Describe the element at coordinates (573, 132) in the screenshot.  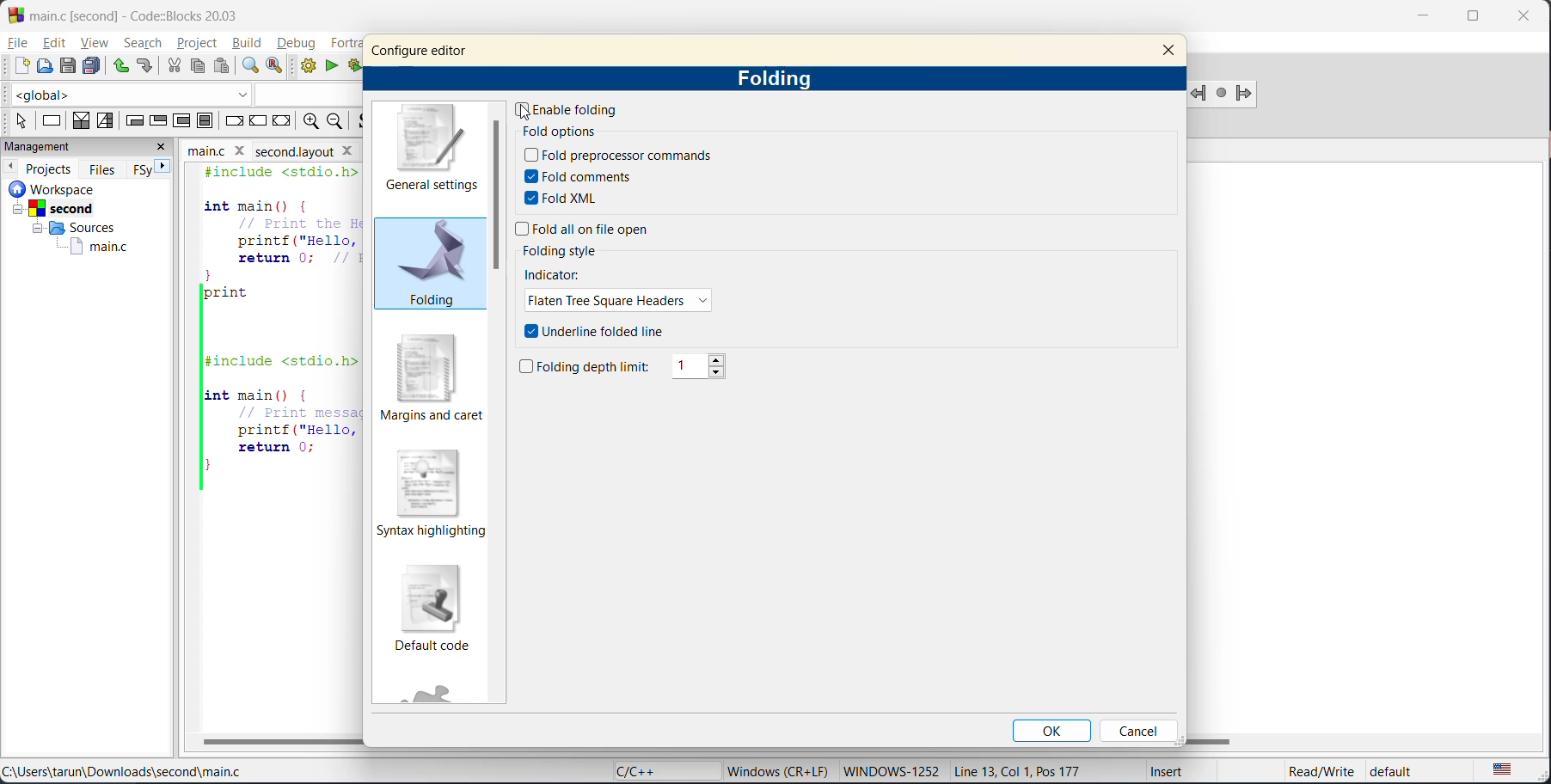
I see `fold options` at that location.